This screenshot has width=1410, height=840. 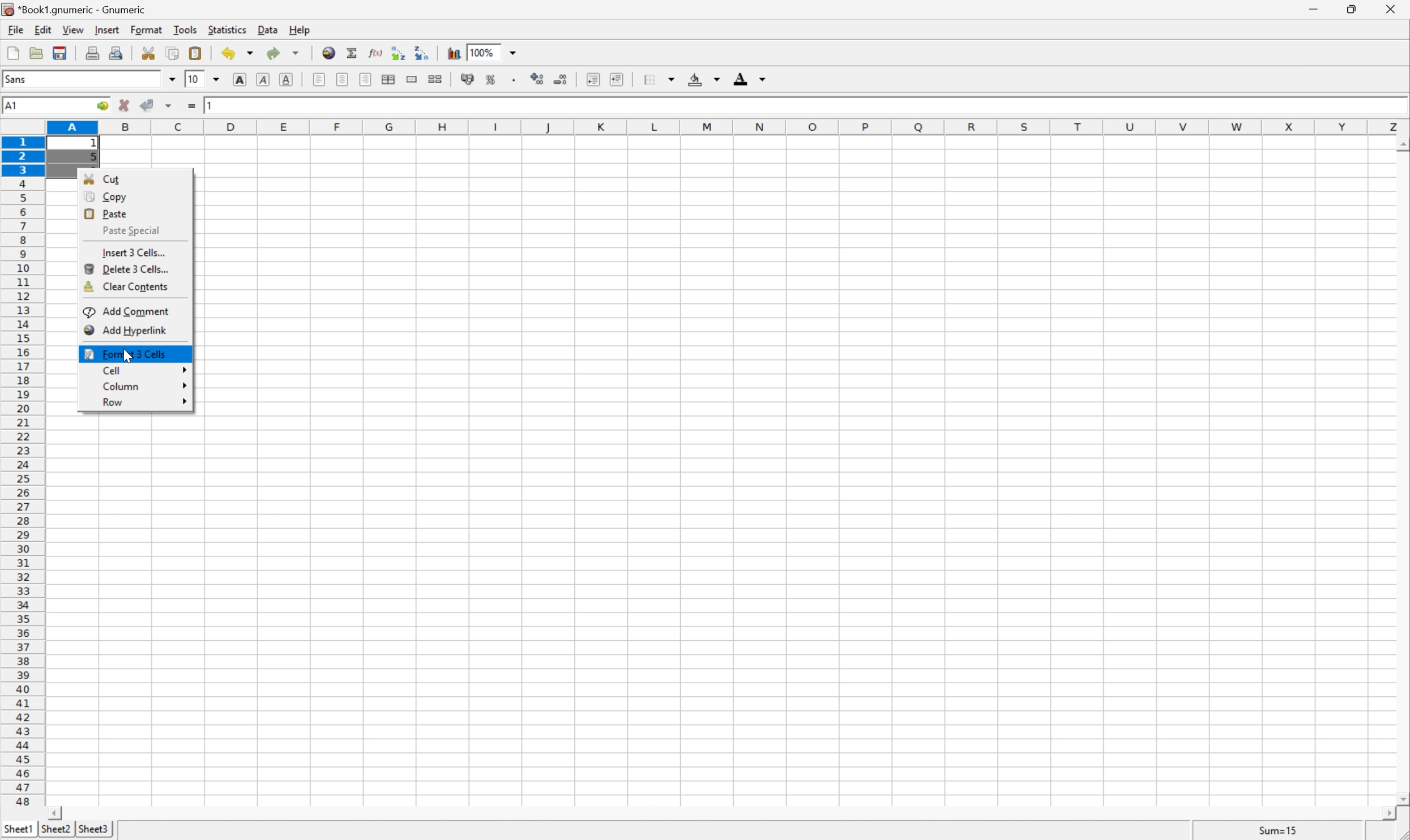 What do you see at coordinates (125, 105) in the screenshot?
I see `cancel changes` at bounding box center [125, 105].